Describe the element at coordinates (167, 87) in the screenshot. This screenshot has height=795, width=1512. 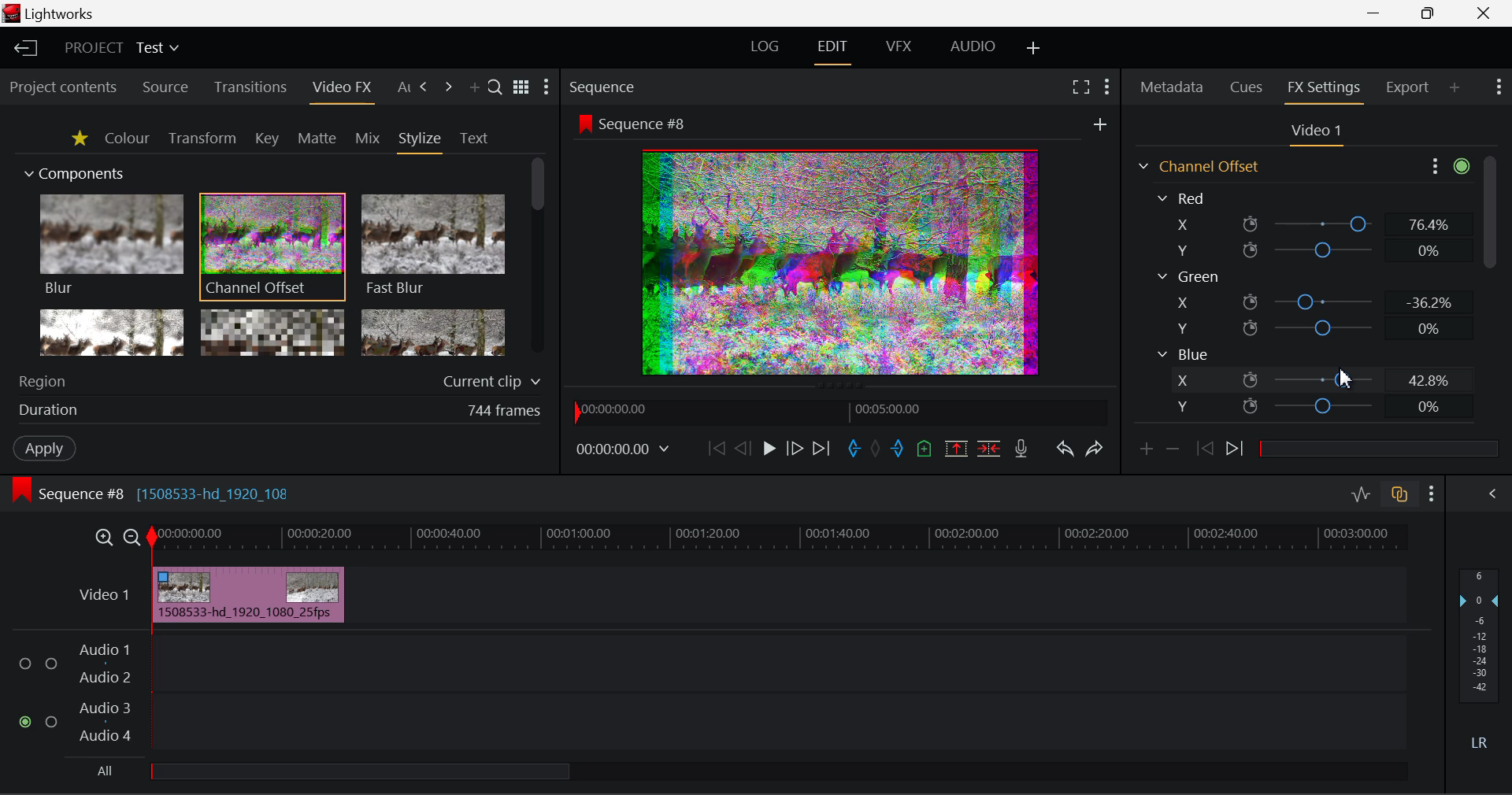
I see `Source` at that location.